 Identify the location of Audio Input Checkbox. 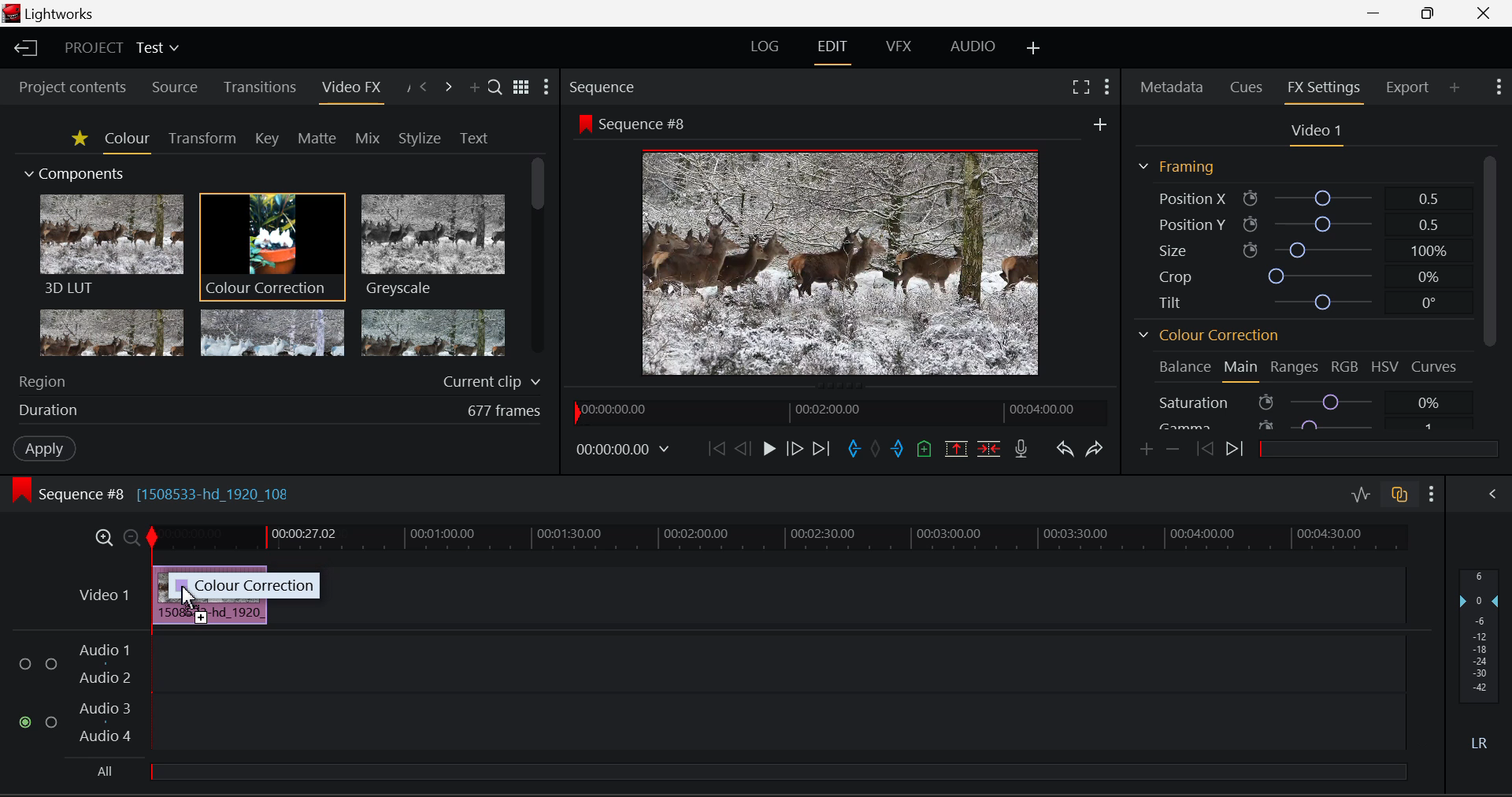
(51, 721).